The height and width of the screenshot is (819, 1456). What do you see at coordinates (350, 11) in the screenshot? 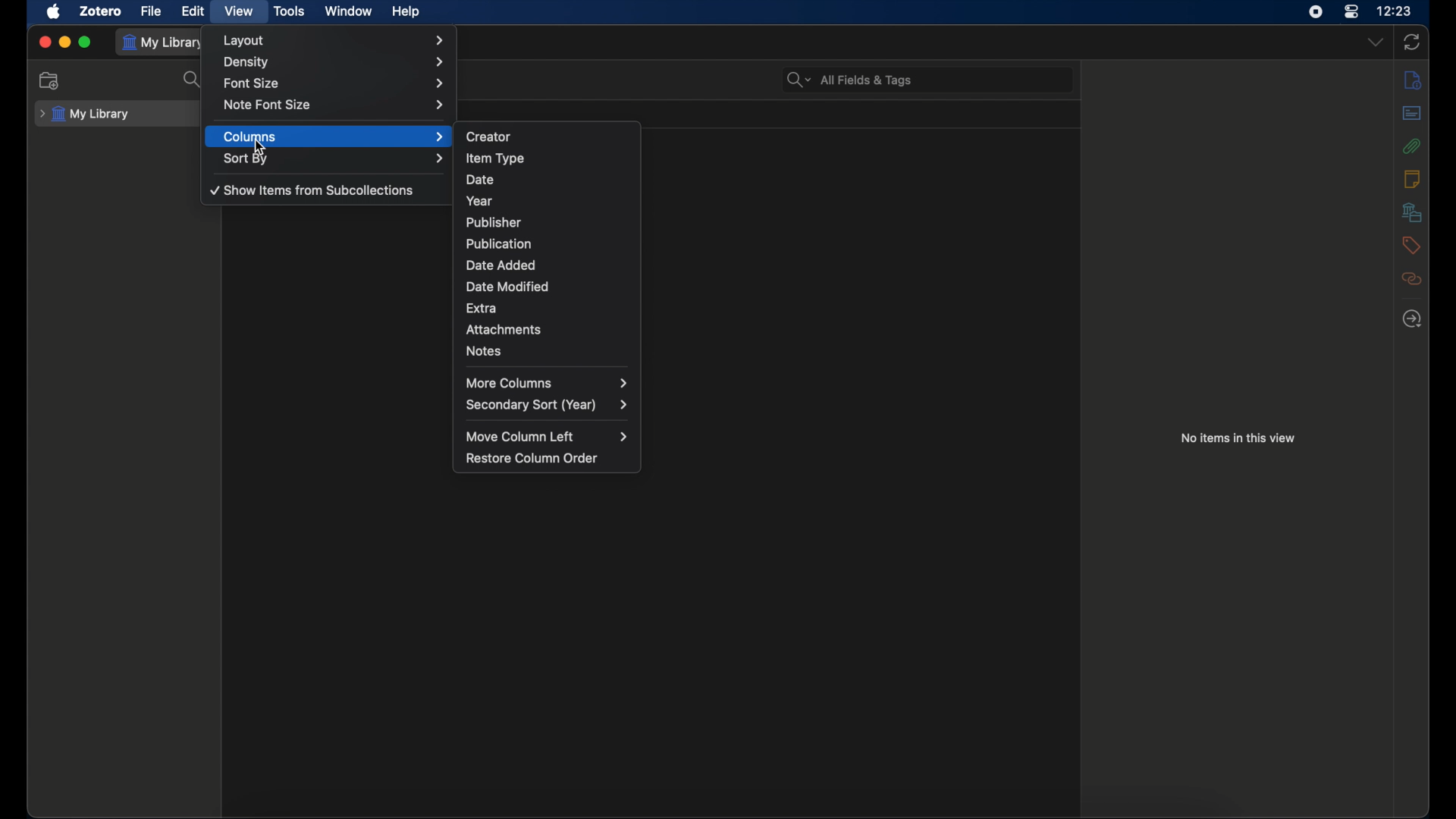
I see `window` at bounding box center [350, 11].